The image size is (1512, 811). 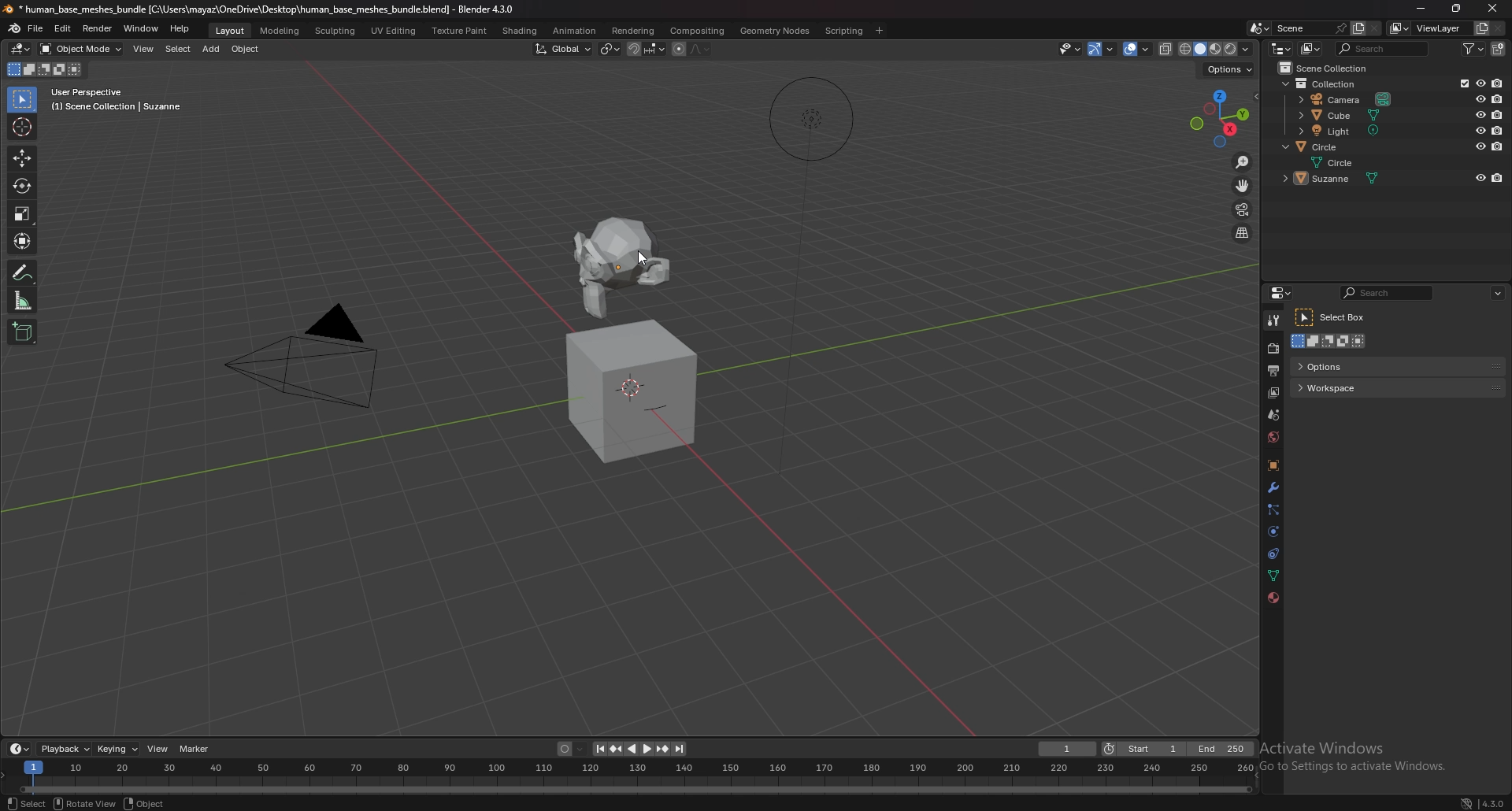 What do you see at coordinates (24, 300) in the screenshot?
I see `scale` at bounding box center [24, 300].